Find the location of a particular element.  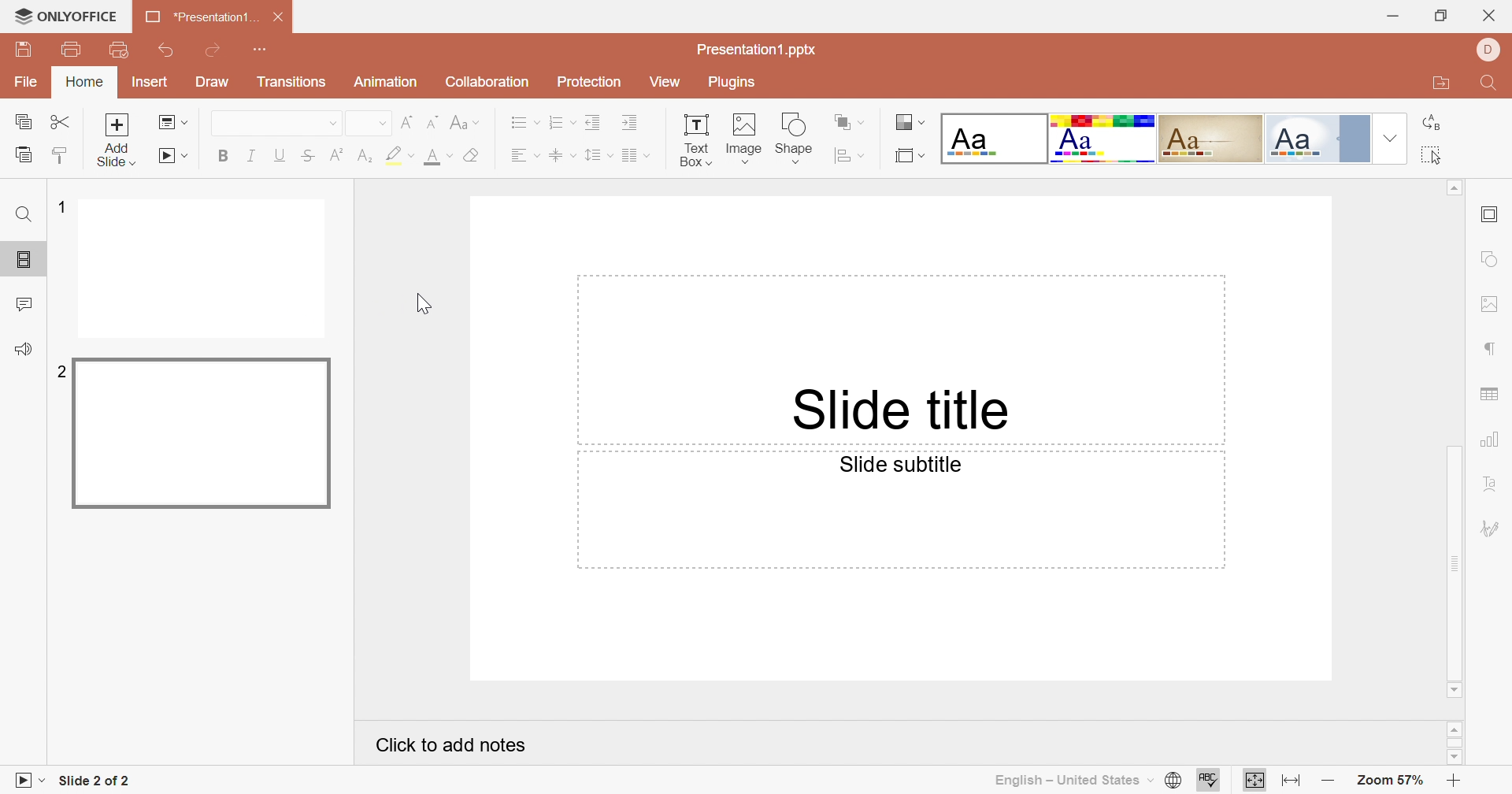

Table settings is located at coordinates (1493, 395).